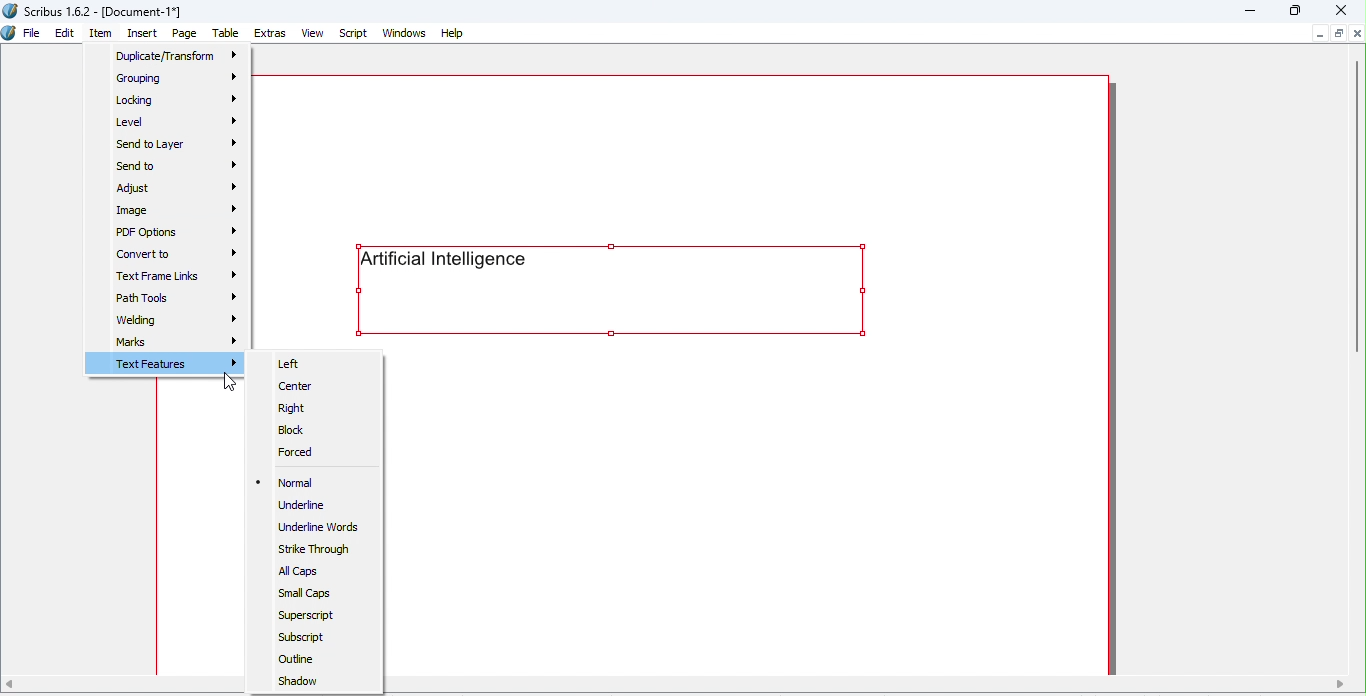 The image size is (1366, 696). I want to click on Page, so click(185, 33).